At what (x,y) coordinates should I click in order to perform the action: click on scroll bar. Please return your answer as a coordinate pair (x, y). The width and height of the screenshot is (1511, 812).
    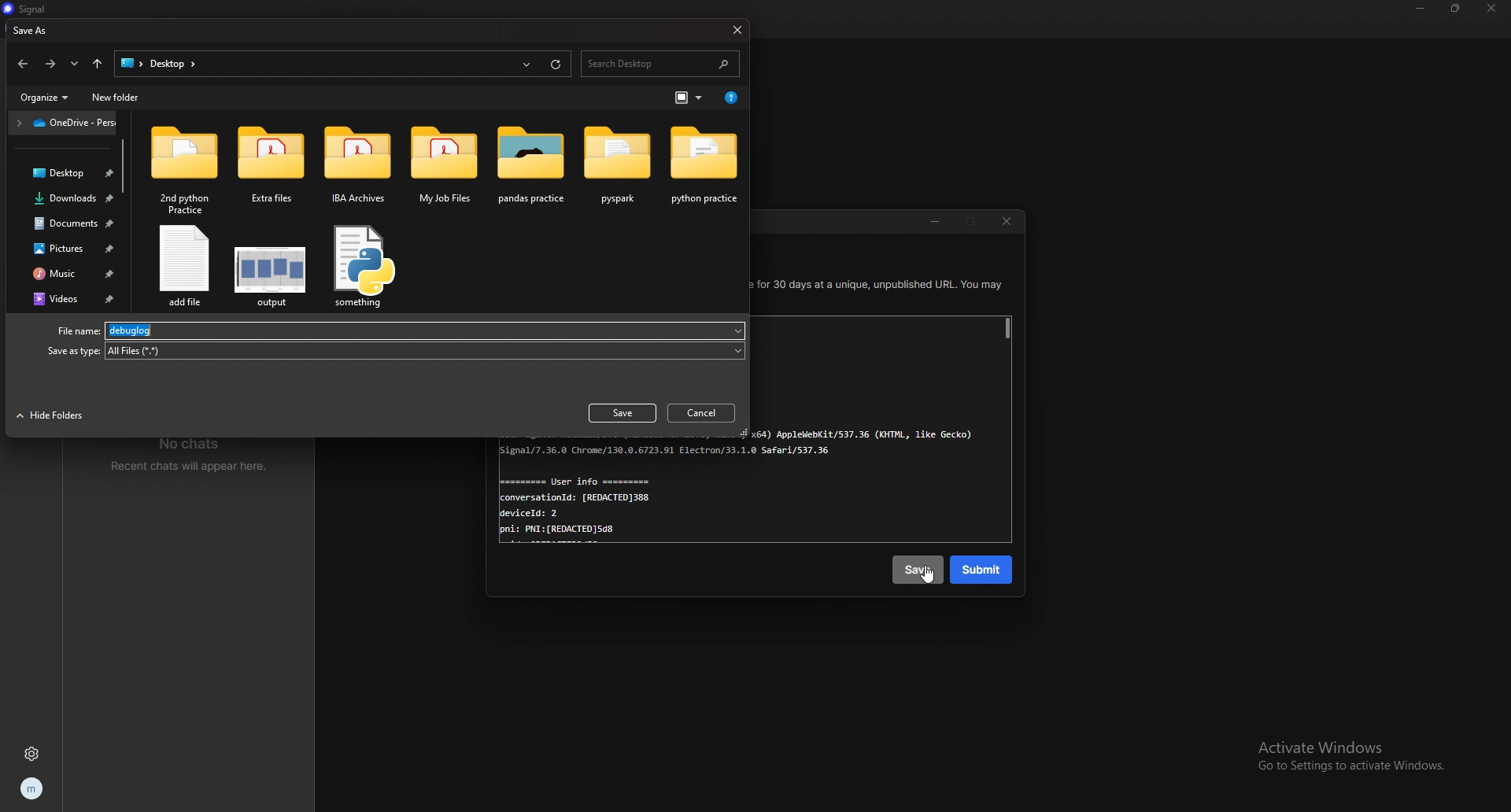
    Looking at the image, I should click on (124, 164).